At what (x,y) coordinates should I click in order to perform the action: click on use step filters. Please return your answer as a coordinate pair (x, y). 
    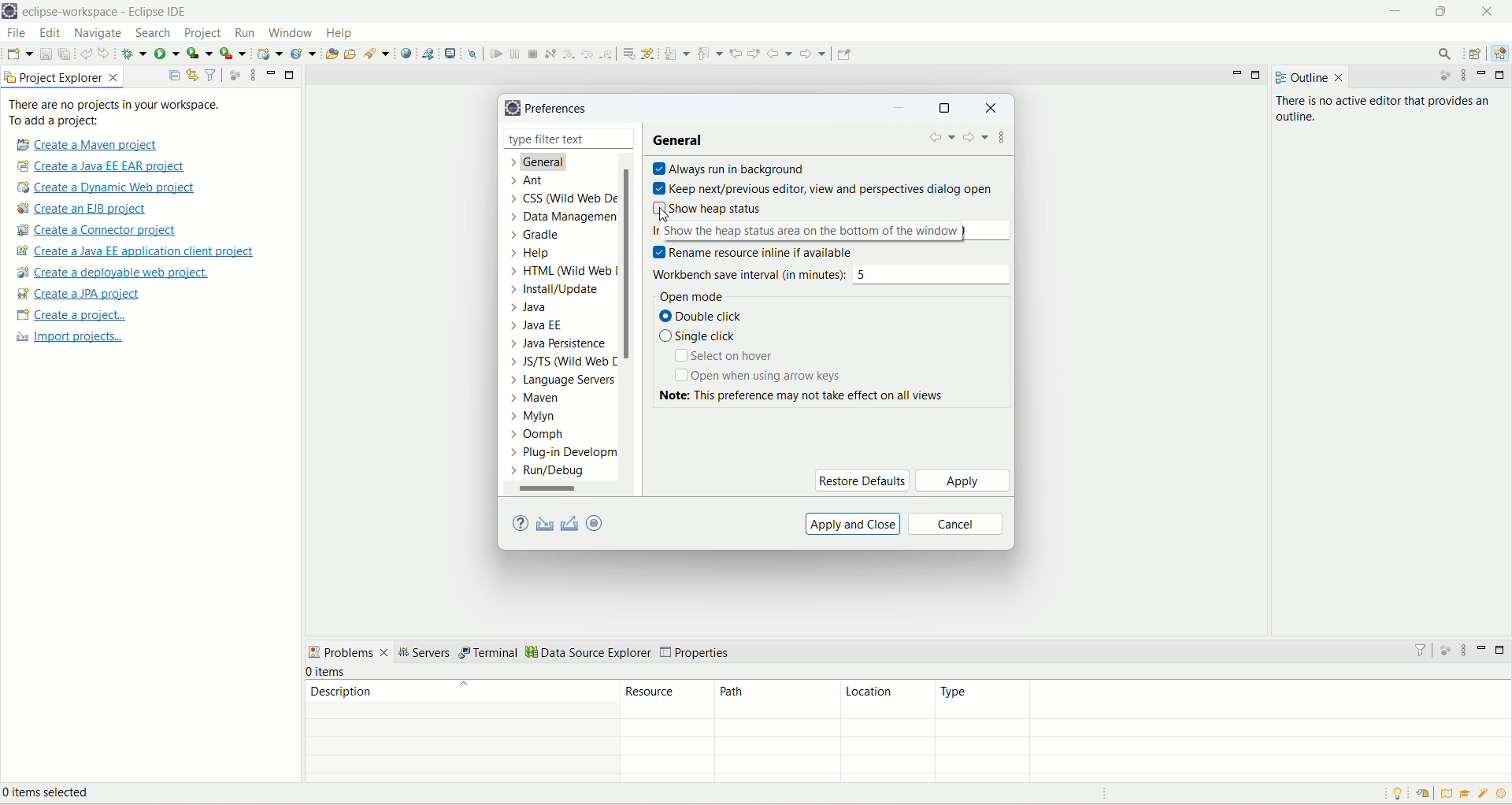
    Looking at the image, I should click on (649, 53).